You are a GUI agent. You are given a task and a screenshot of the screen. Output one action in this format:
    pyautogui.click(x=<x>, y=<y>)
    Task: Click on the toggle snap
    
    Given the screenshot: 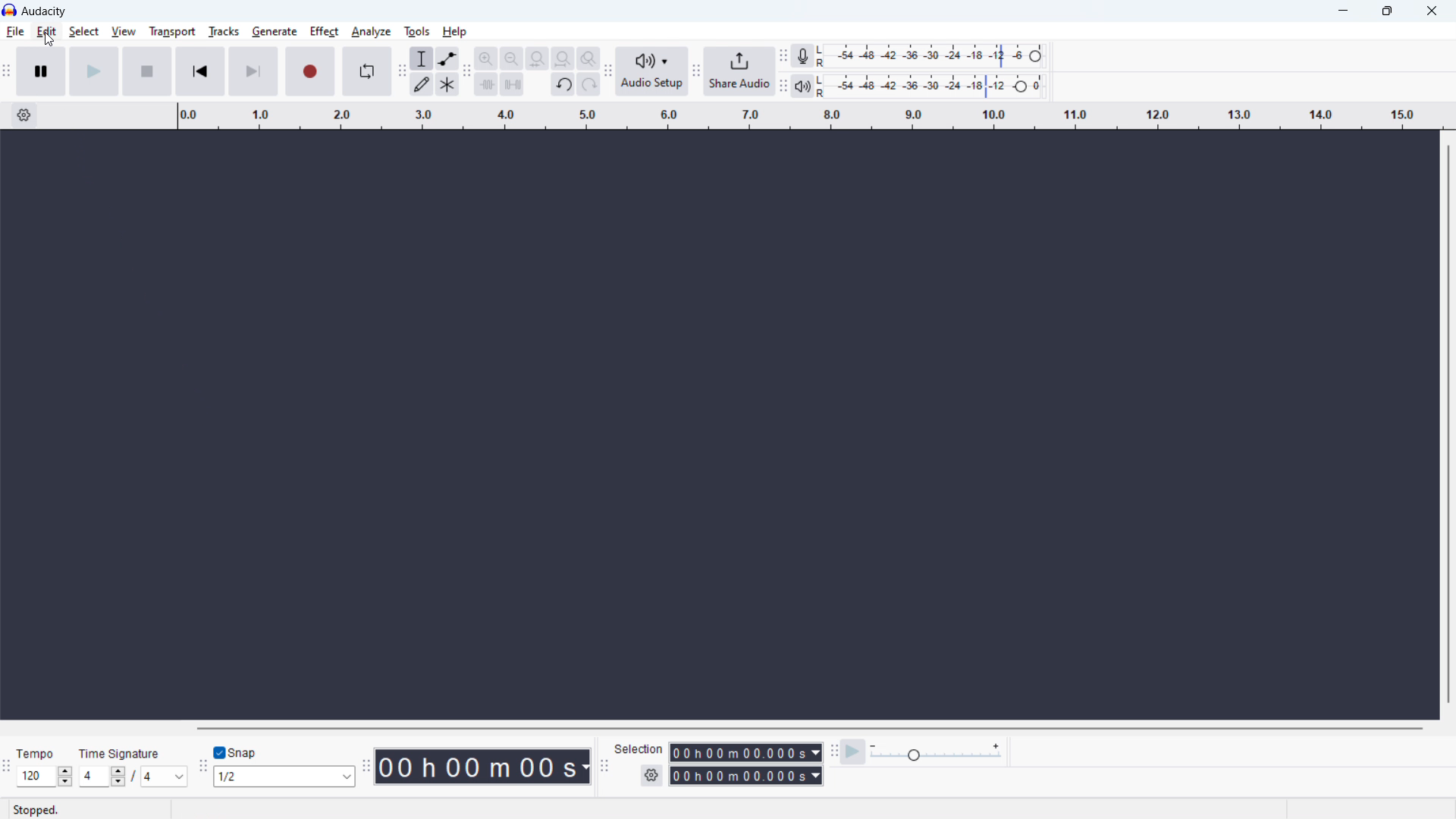 What is the action you would take?
    pyautogui.click(x=234, y=752)
    